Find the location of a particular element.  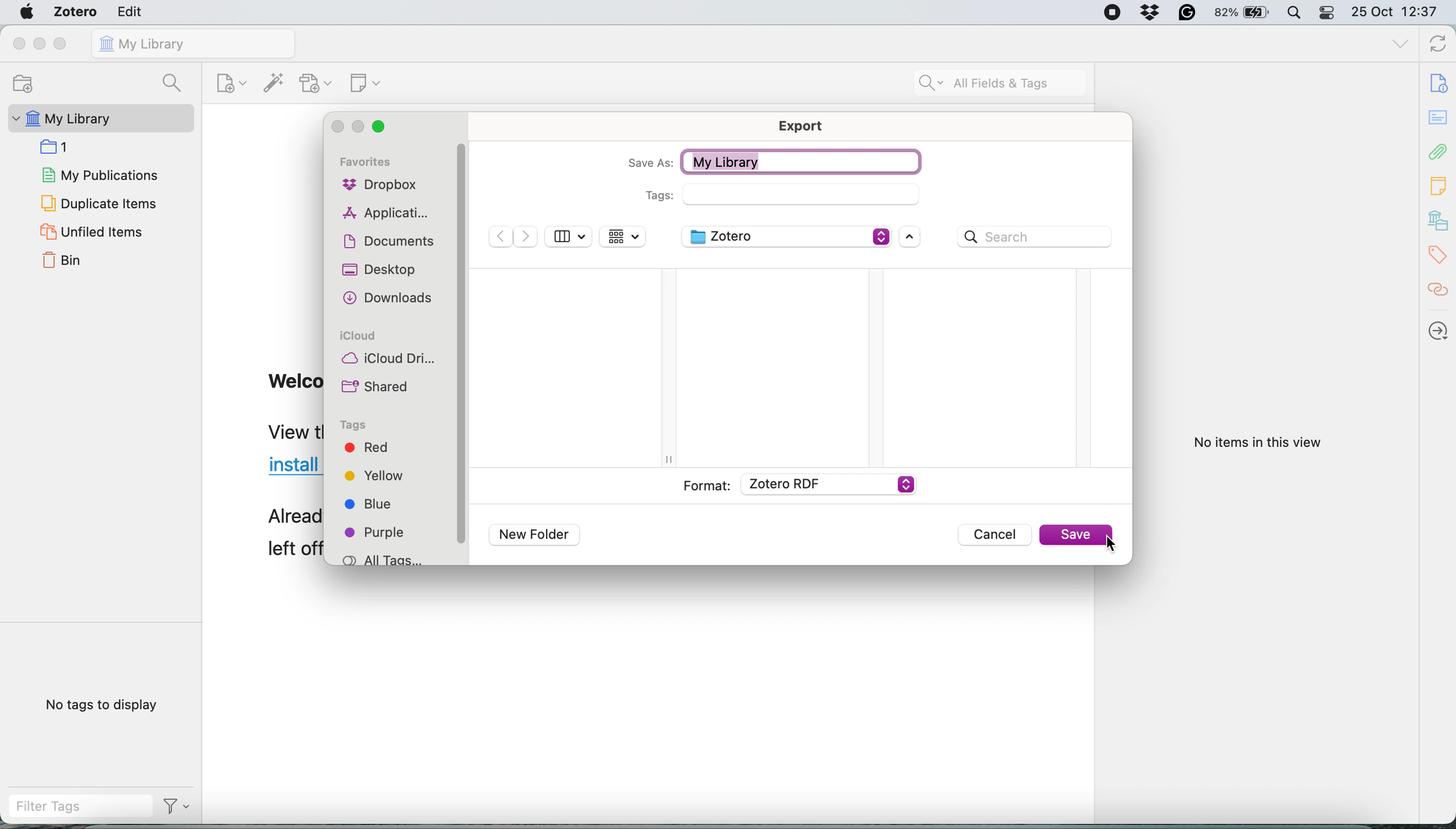

[3 Documents is located at coordinates (388, 241).